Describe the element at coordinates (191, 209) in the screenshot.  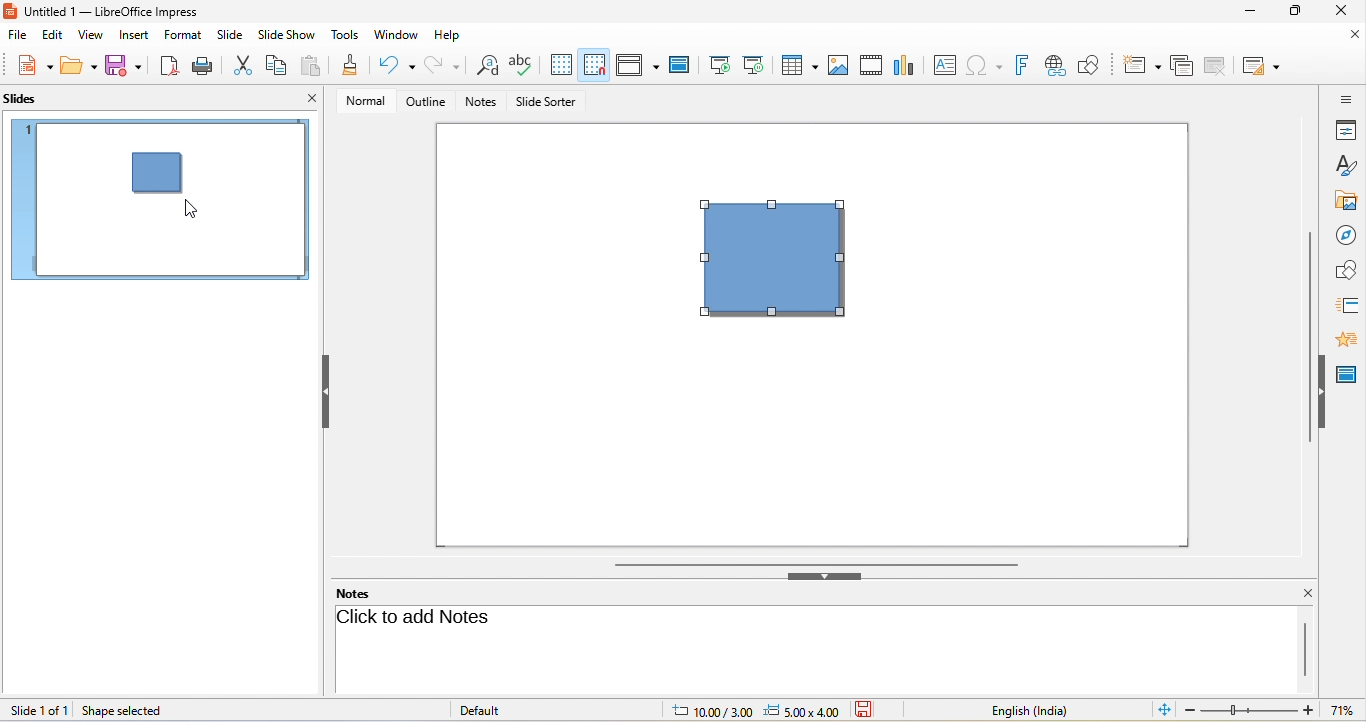
I see `cursor movement` at that location.